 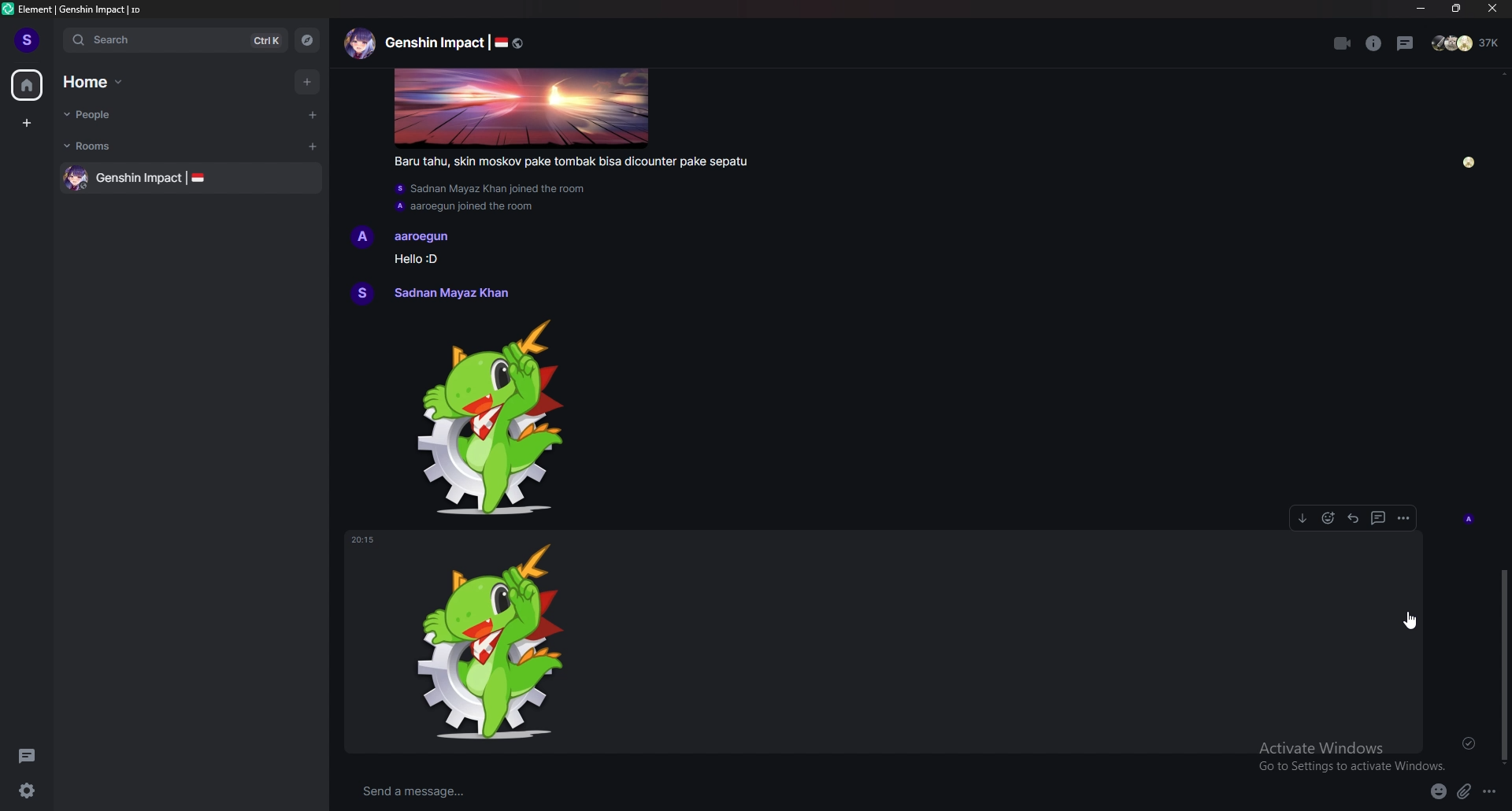 I want to click on close, so click(x=1489, y=9).